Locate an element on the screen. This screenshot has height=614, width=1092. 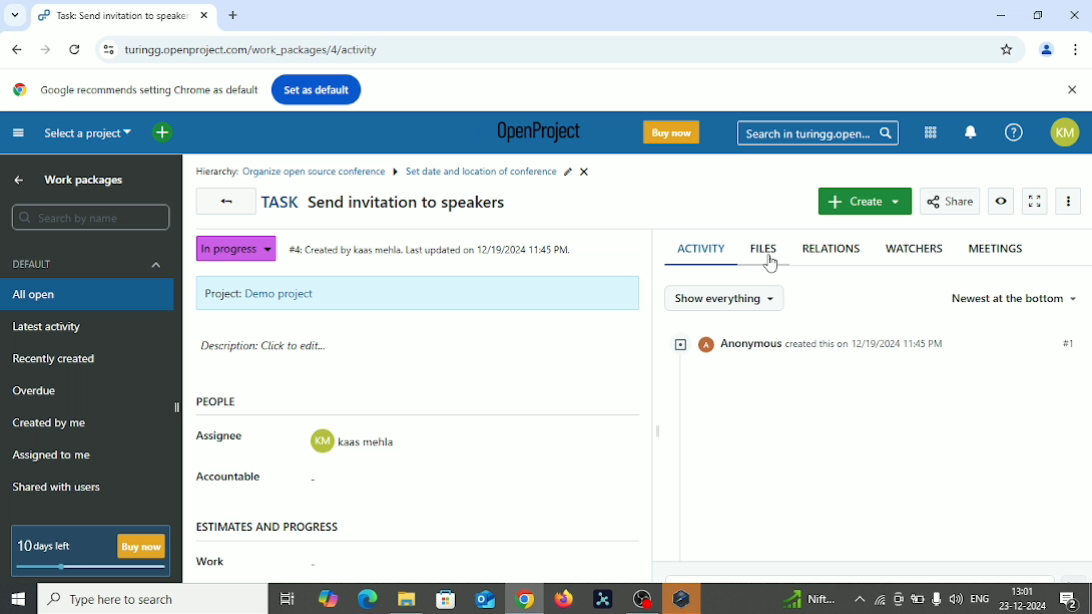
Account is located at coordinates (1069, 132).